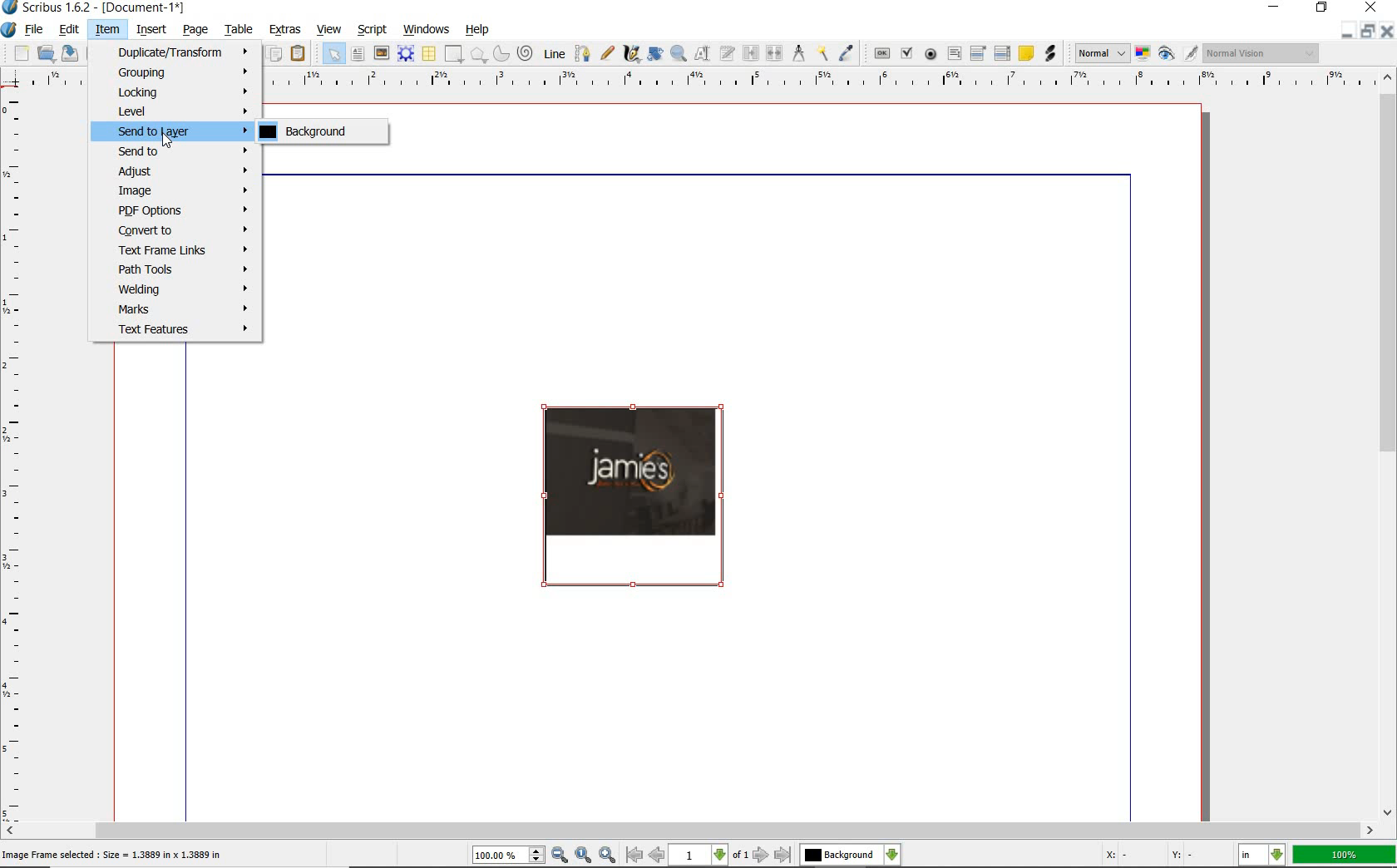  Describe the element at coordinates (606, 52) in the screenshot. I see `freehand line` at that location.